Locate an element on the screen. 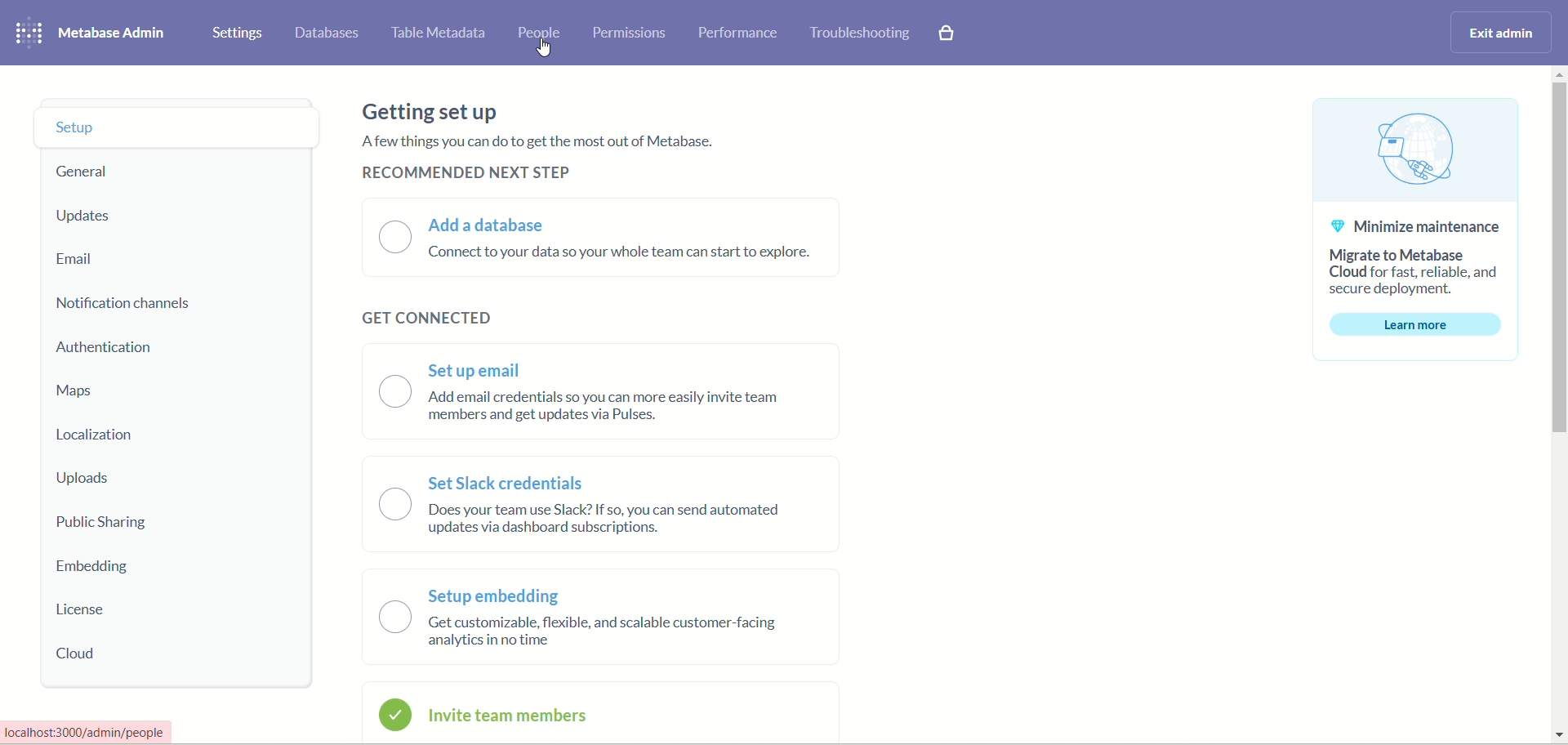 The height and width of the screenshot is (745, 1568). vertical scroll bar is located at coordinates (1558, 402).